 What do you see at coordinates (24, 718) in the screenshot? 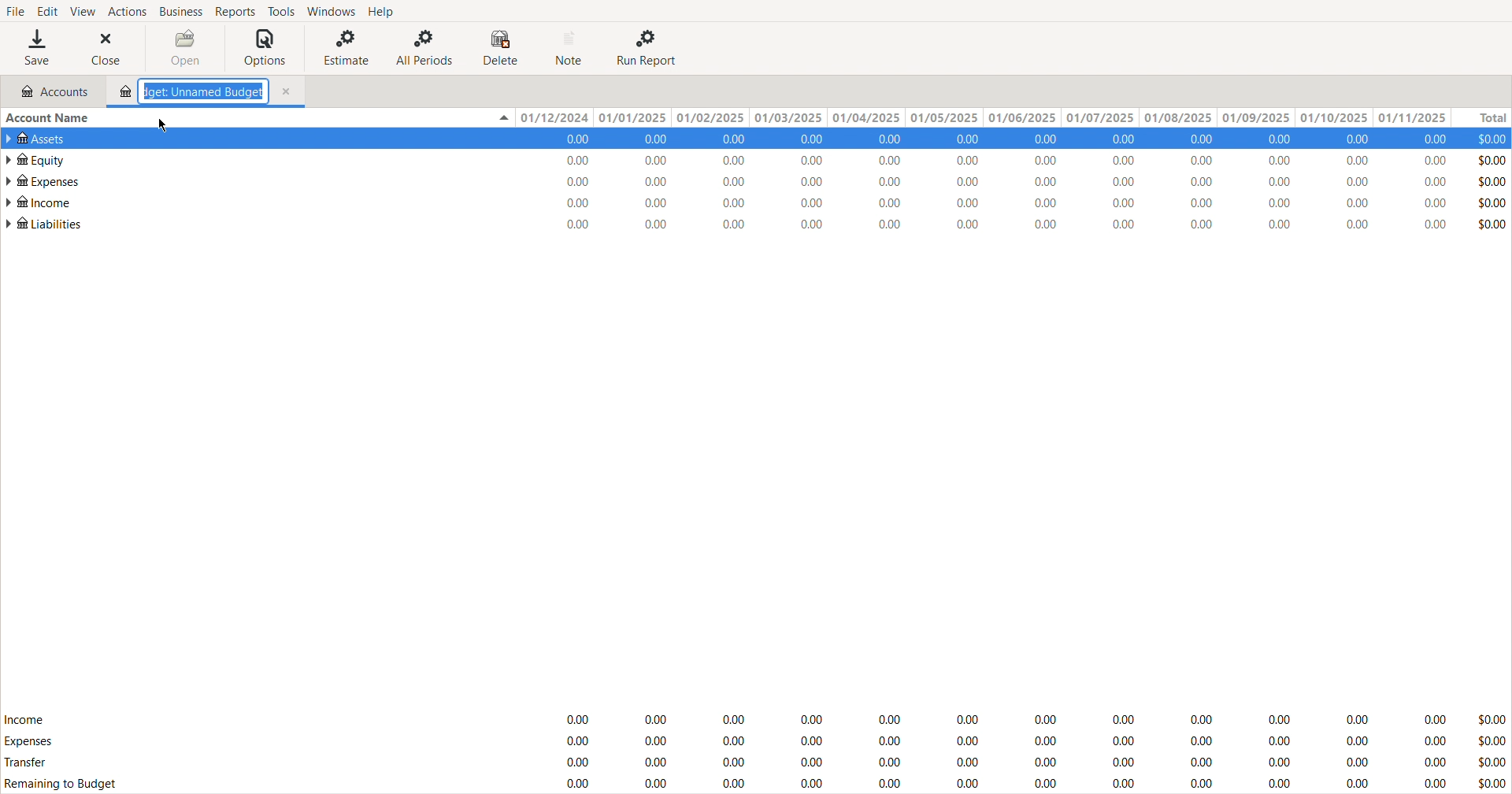
I see `Income` at bounding box center [24, 718].